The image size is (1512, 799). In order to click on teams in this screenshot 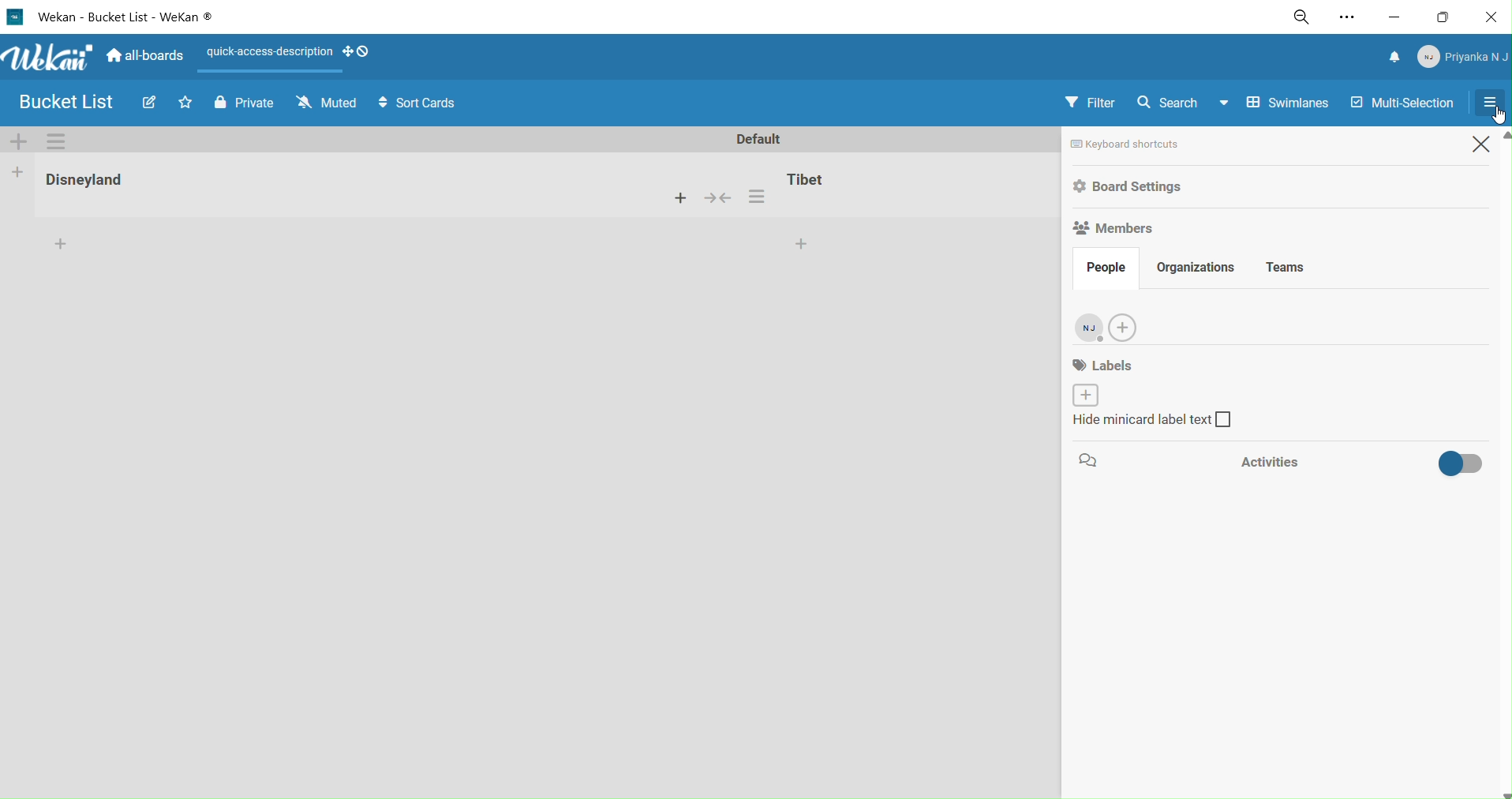, I will do `click(1301, 270)`.